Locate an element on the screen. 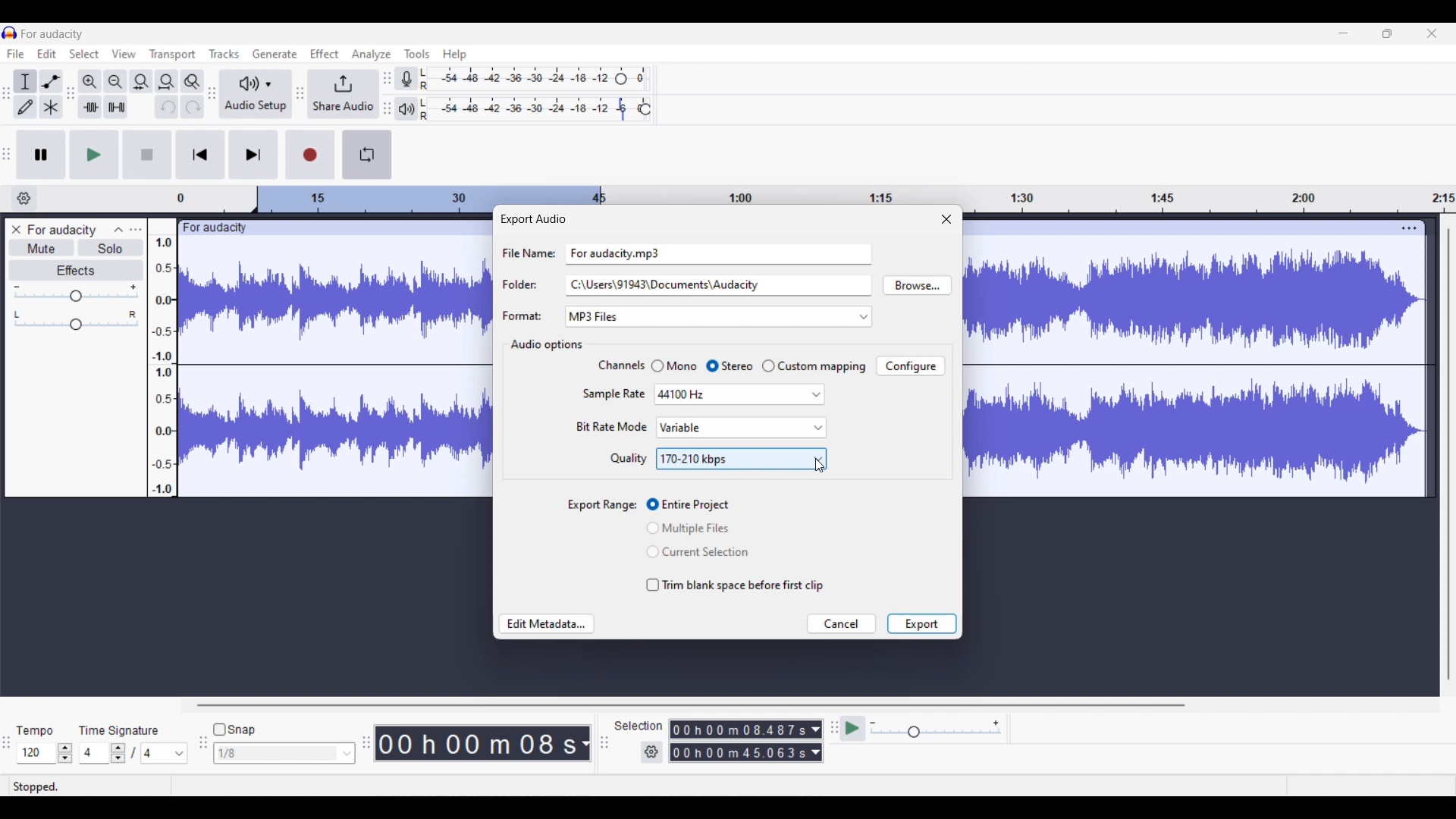 The height and width of the screenshot is (819, 1456). Zoom in is located at coordinates (89, 82).